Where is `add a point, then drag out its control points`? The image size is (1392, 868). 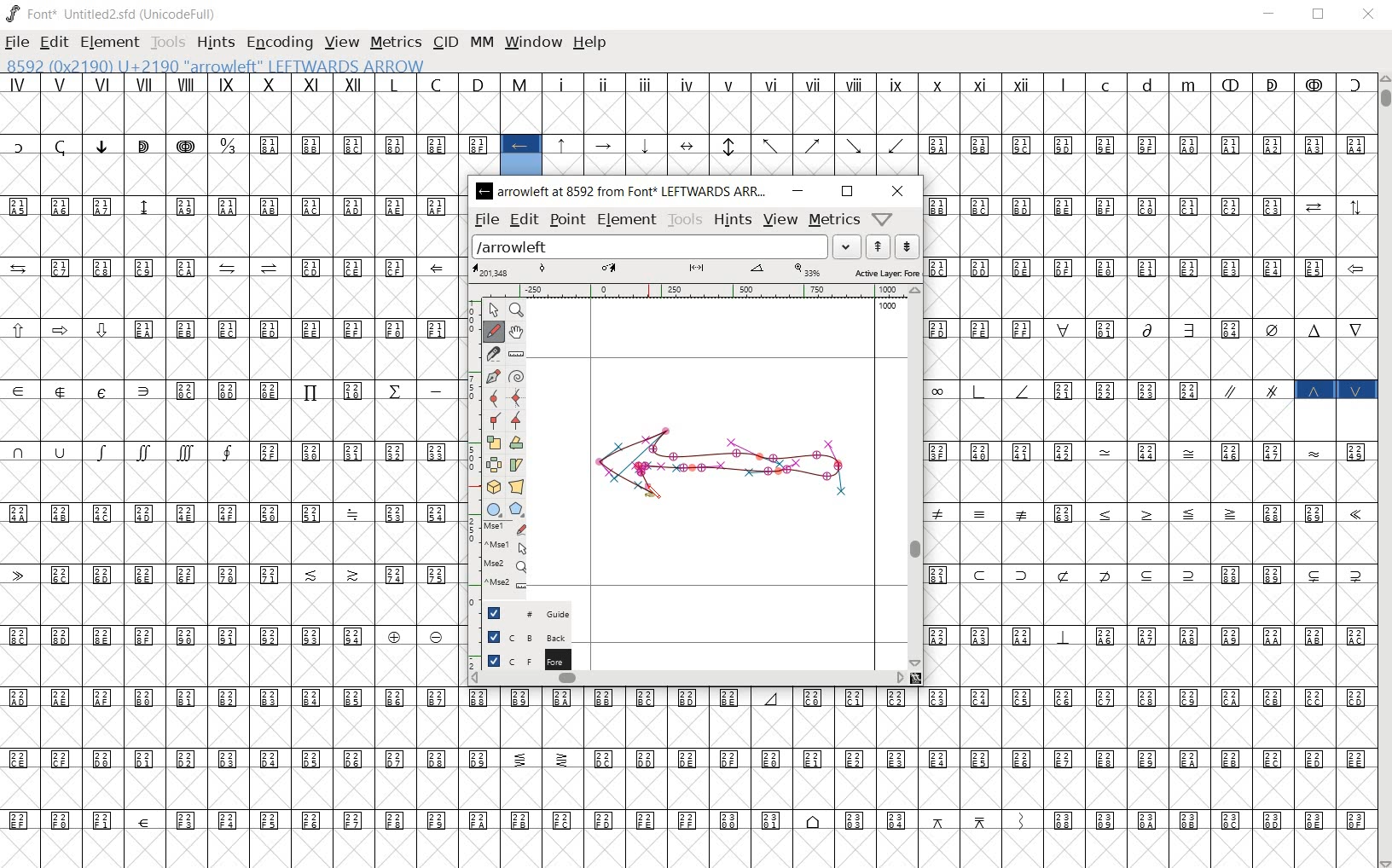
add a point, then drag out its control points is located at coordinates (491, 374).